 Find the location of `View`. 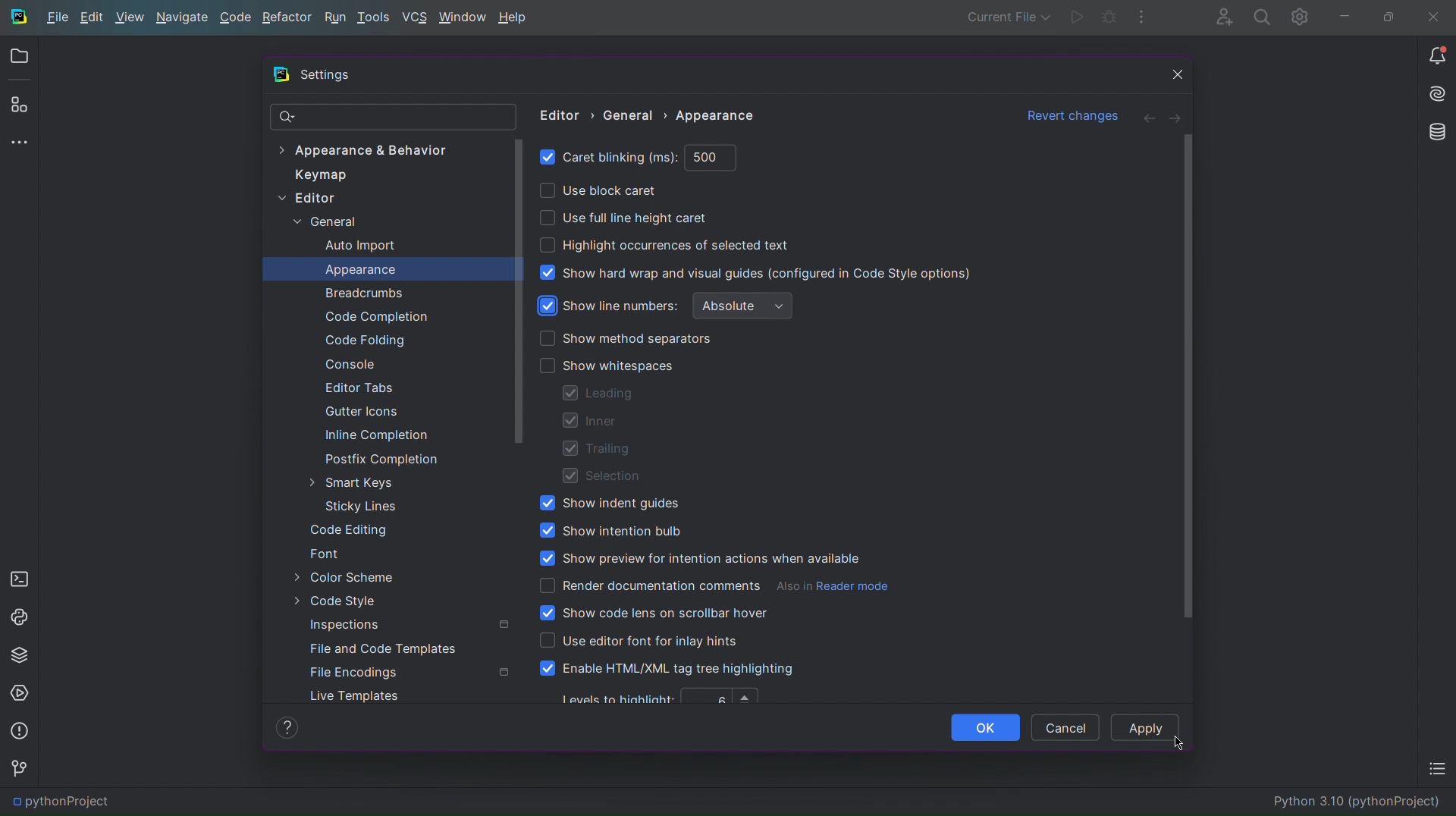

View is located at coordinates (128, 19).